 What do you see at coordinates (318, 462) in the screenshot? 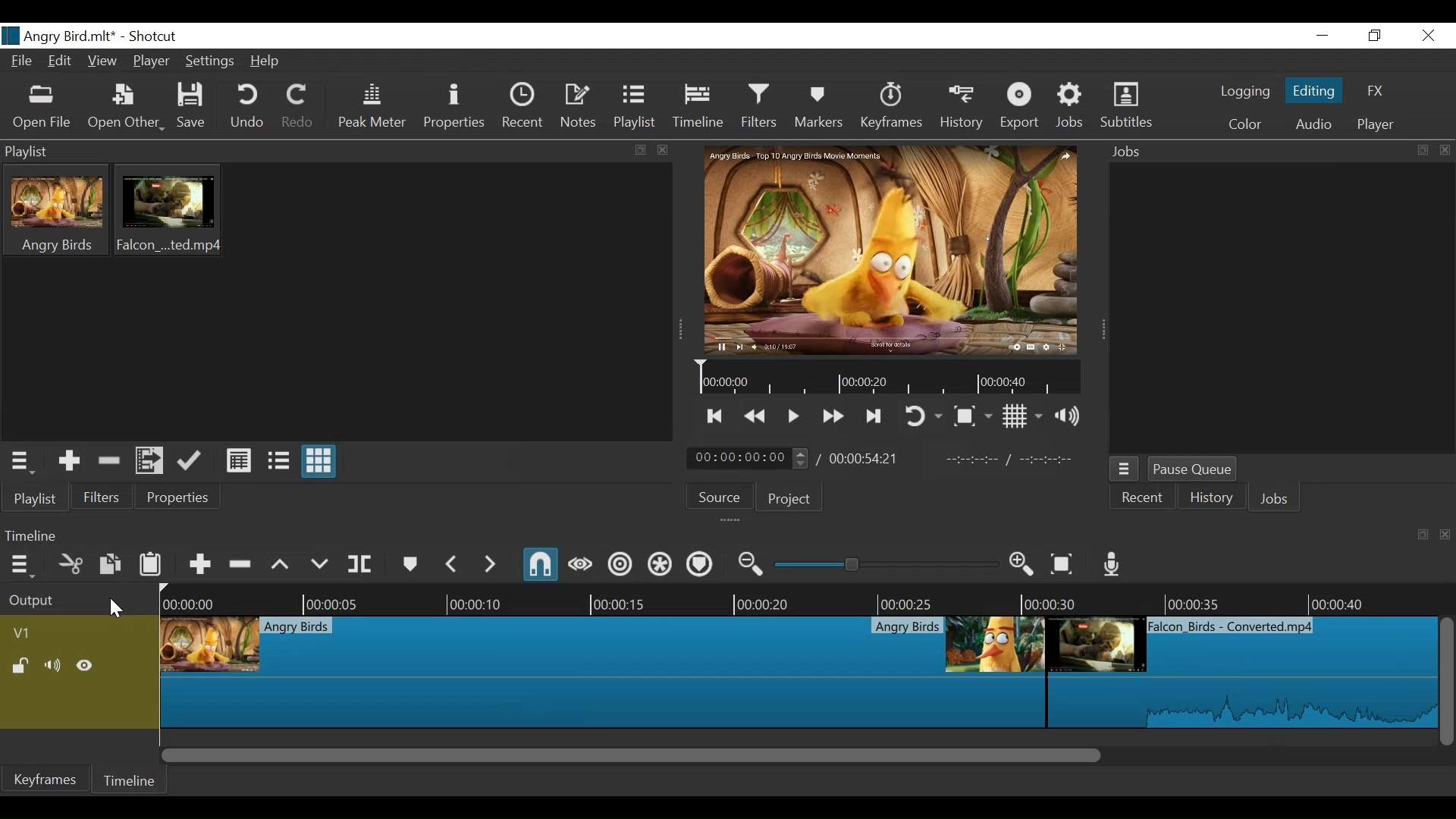
I see `View as icon` at bounding box center [318, 462].